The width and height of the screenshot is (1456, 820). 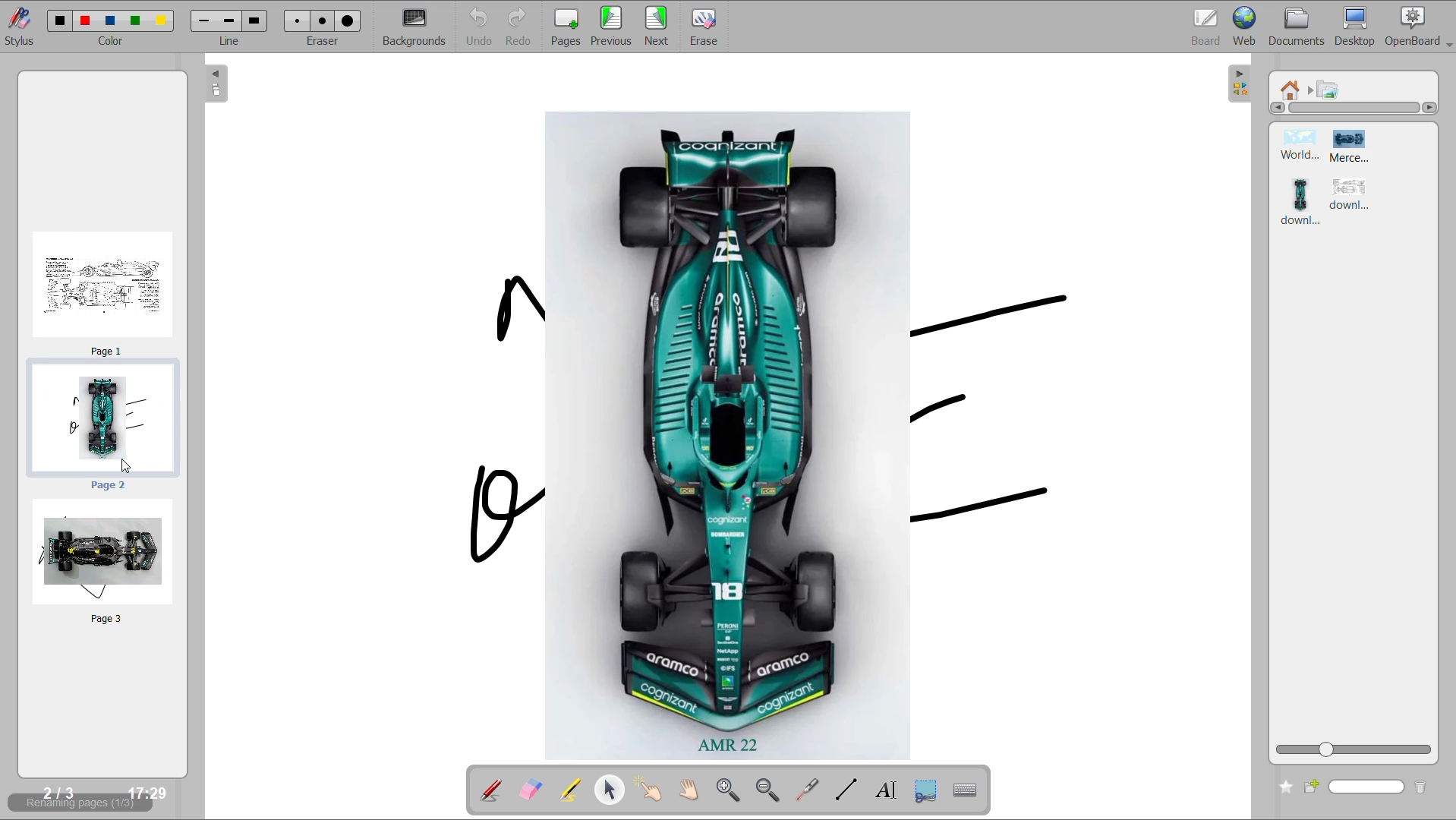 What do you see at coordinates (965, 791) in the screenshot?
I see `create virtual keyboard` at bounding box center [965, 791].